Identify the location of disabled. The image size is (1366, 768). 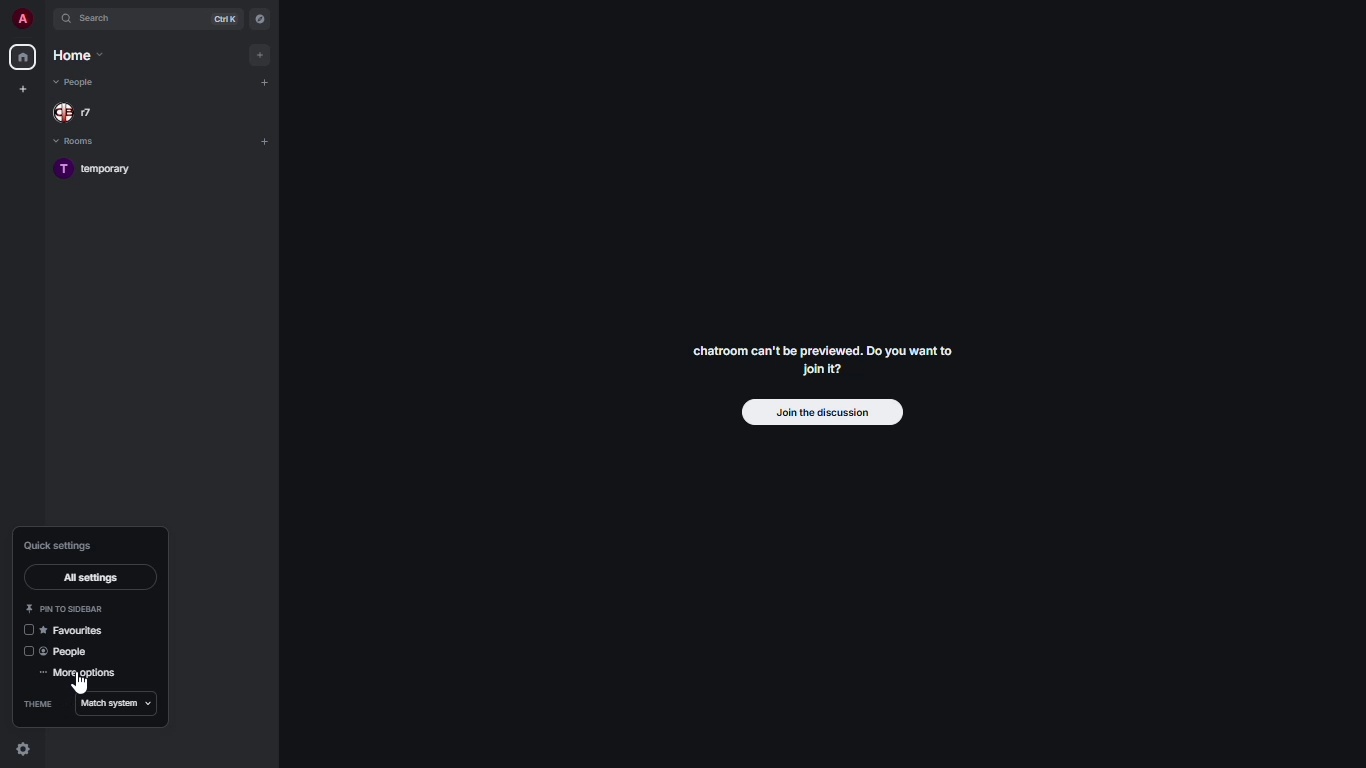
(24, 653).